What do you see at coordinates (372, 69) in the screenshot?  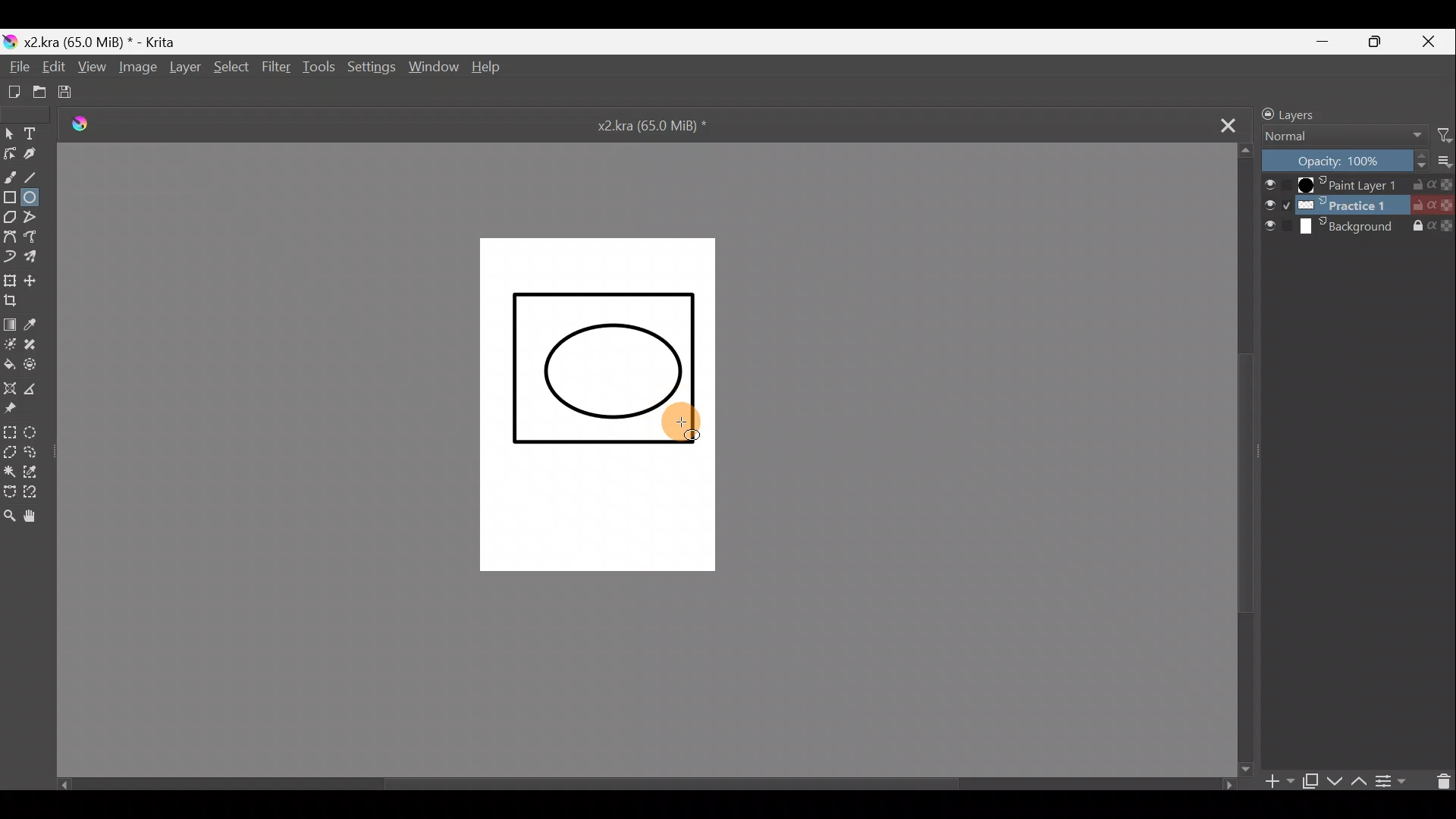 I see `Settings` at bounding box center [372, 69].